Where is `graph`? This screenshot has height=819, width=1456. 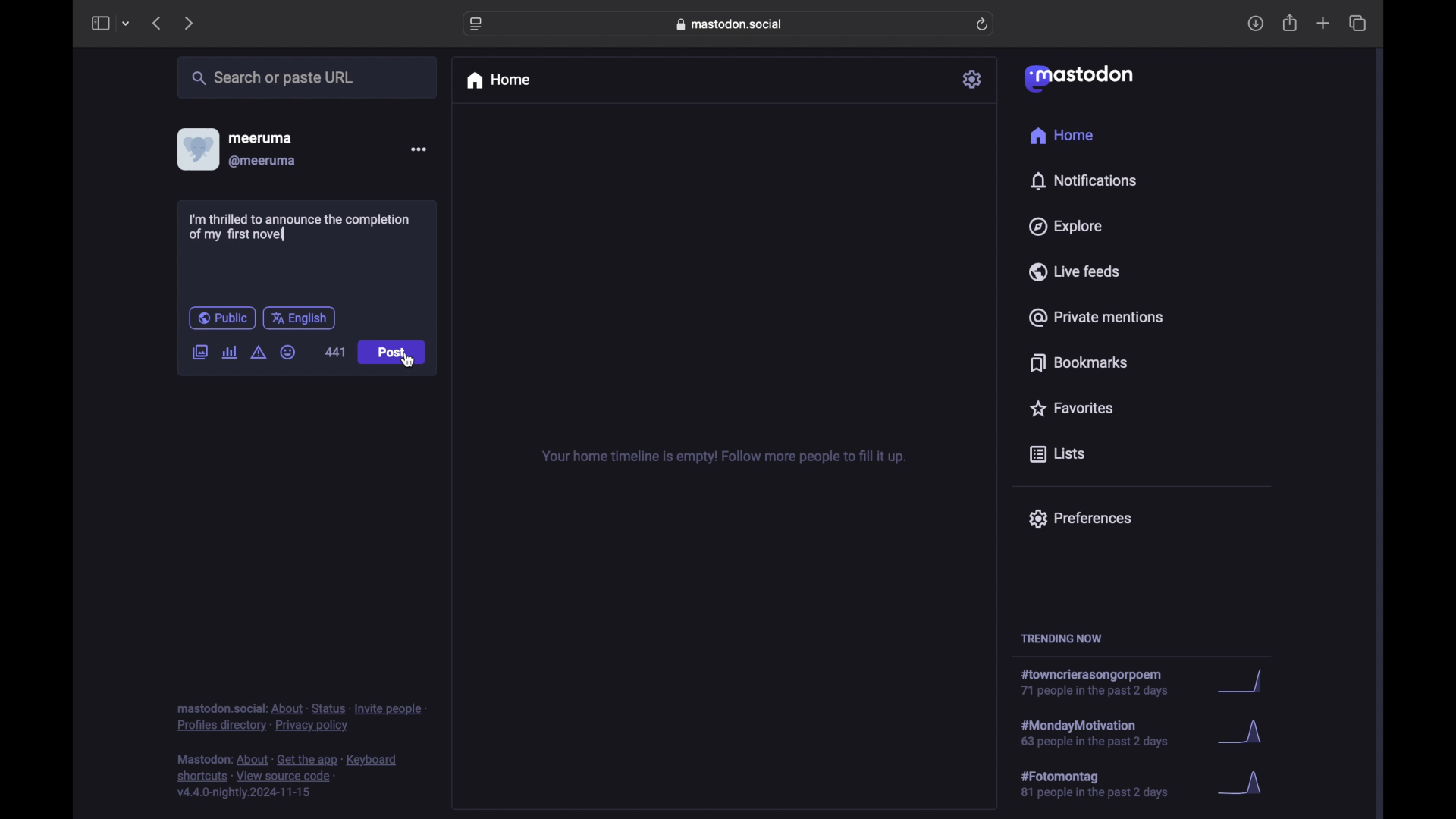
graph is located at coordinates (1244, 734).